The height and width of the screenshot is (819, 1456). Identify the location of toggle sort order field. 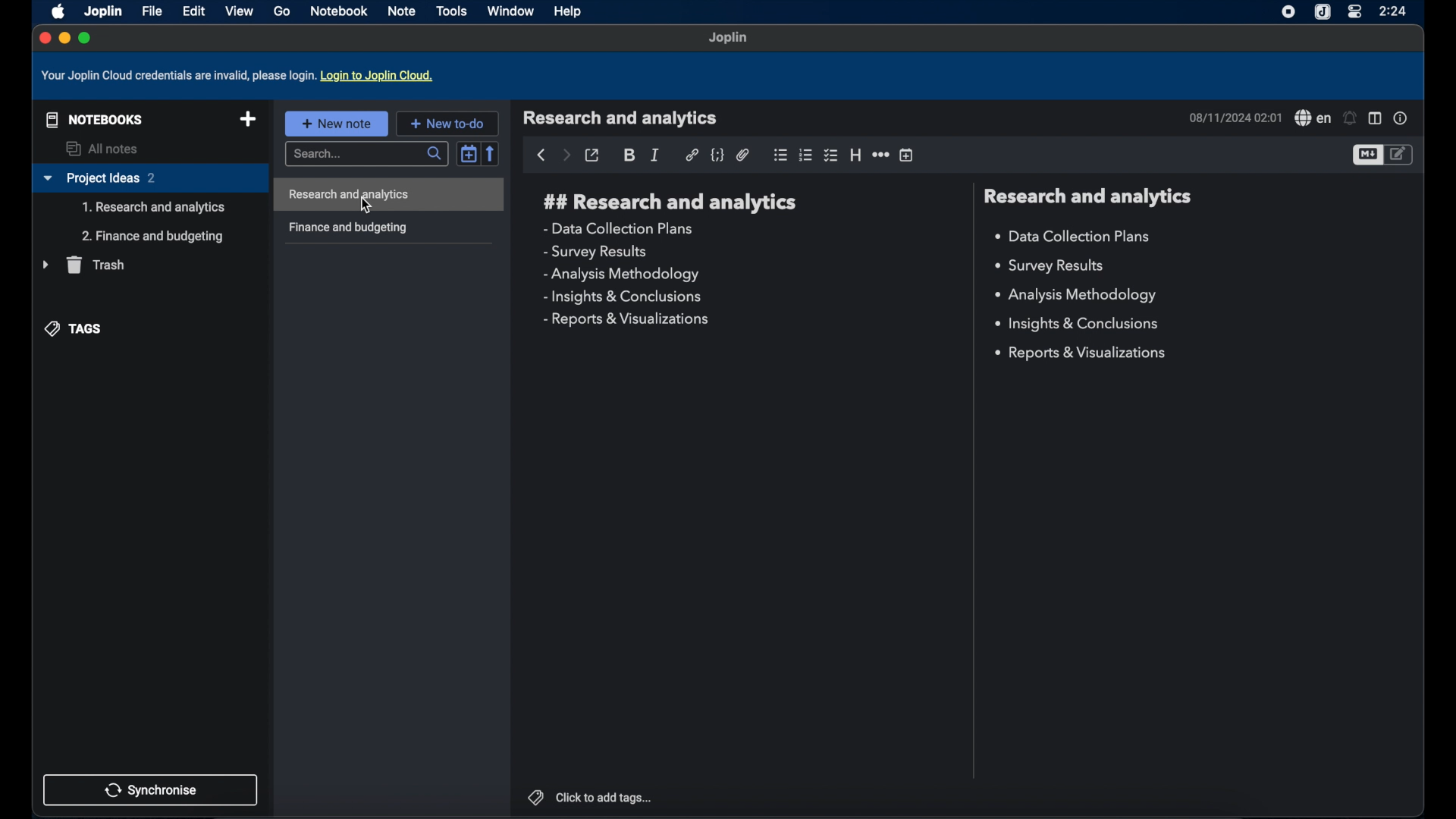
(469, 152).